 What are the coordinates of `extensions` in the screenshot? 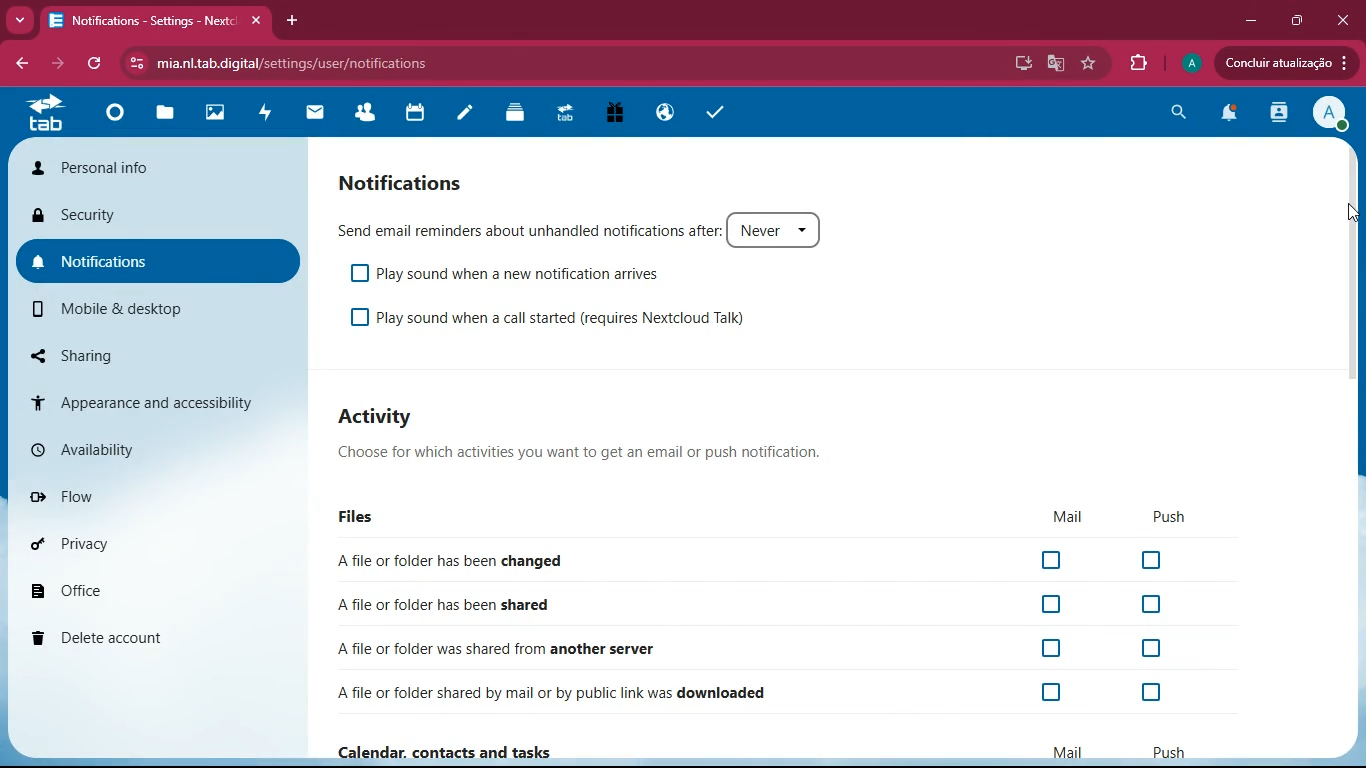 It's located at (1140, 63).